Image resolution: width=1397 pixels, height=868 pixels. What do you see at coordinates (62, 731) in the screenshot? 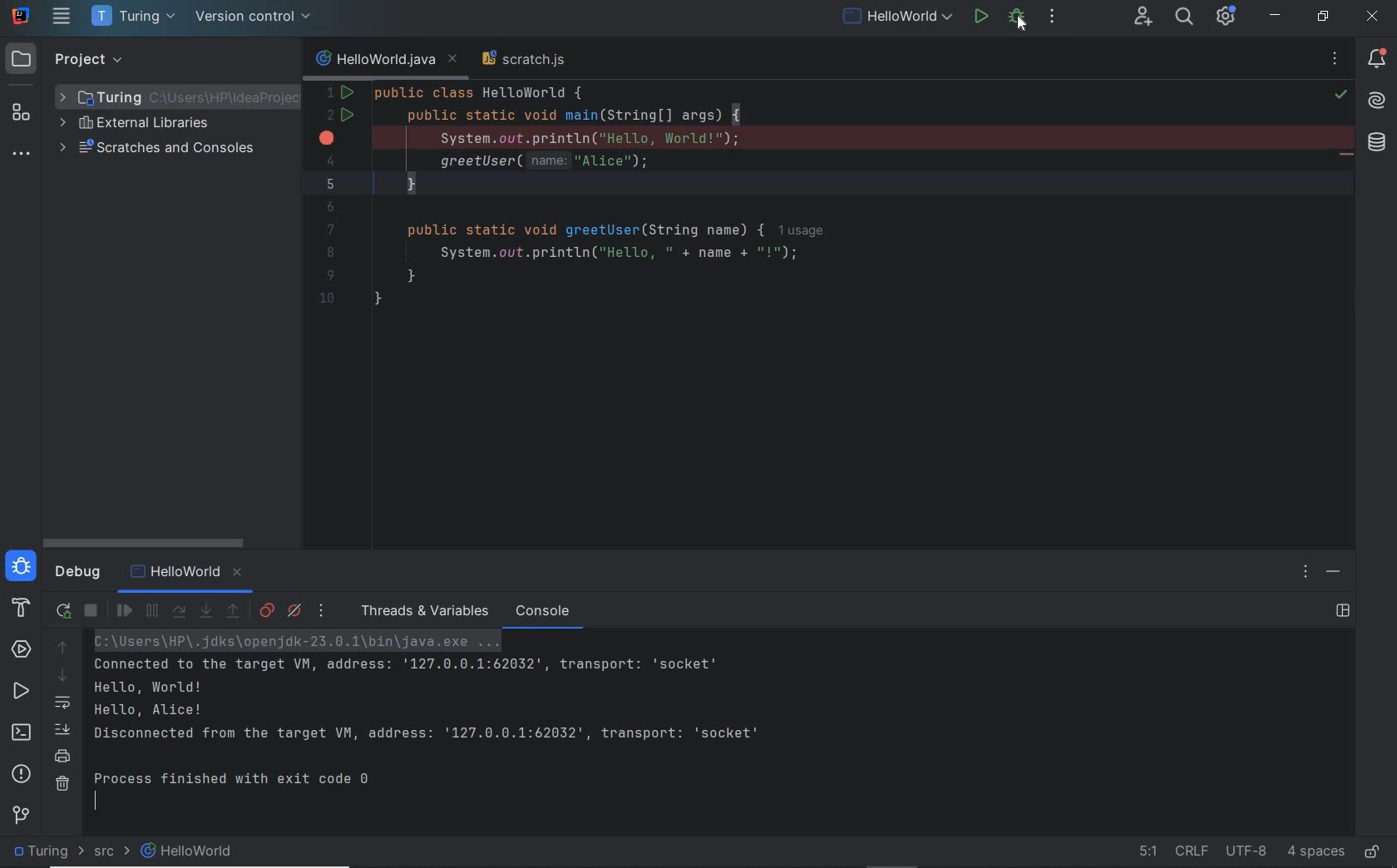
I see `scroll to end` at bounding box center [62, 731].